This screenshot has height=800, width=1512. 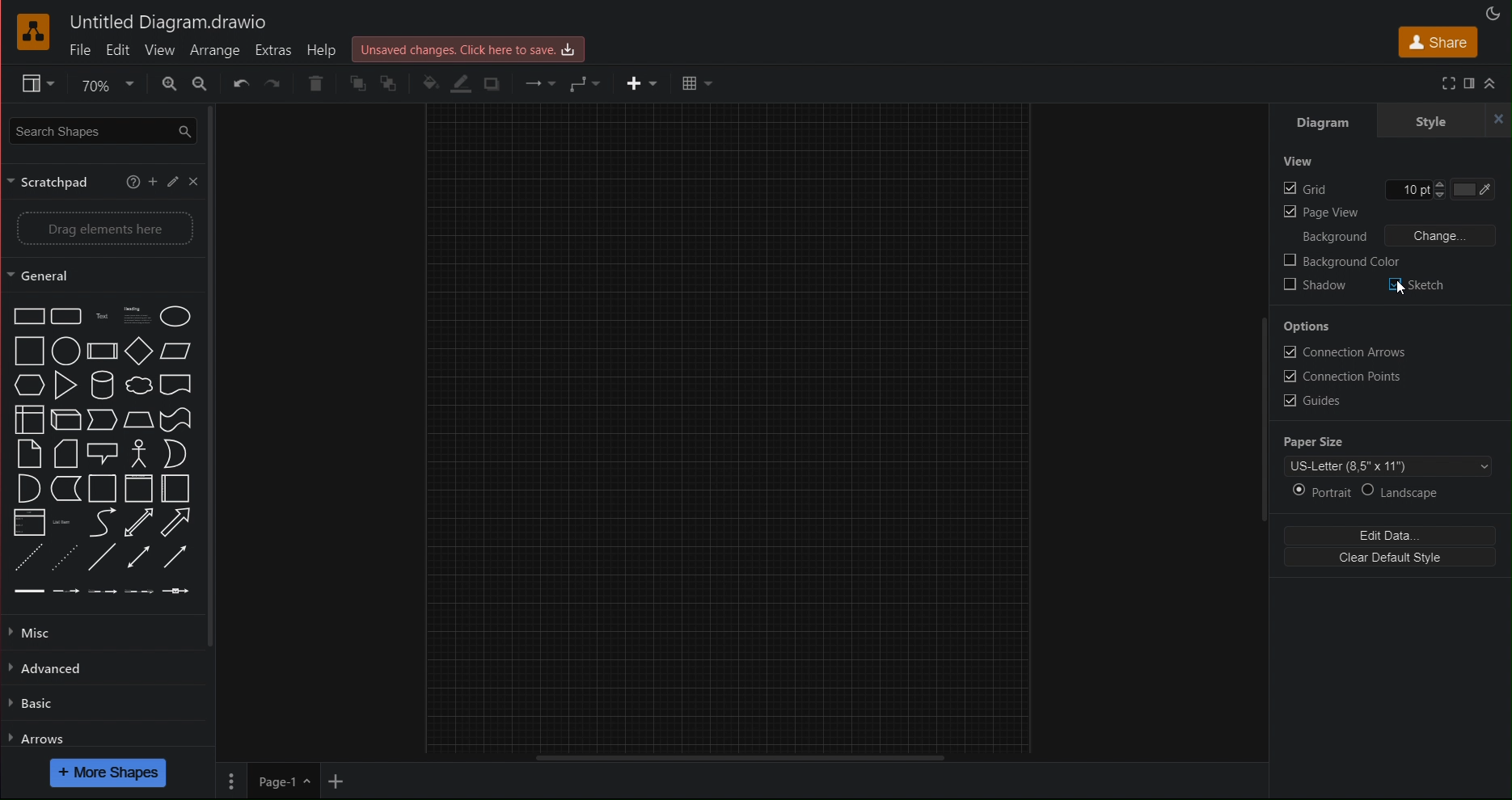 I want to click on process, so click(x=102, y=351).